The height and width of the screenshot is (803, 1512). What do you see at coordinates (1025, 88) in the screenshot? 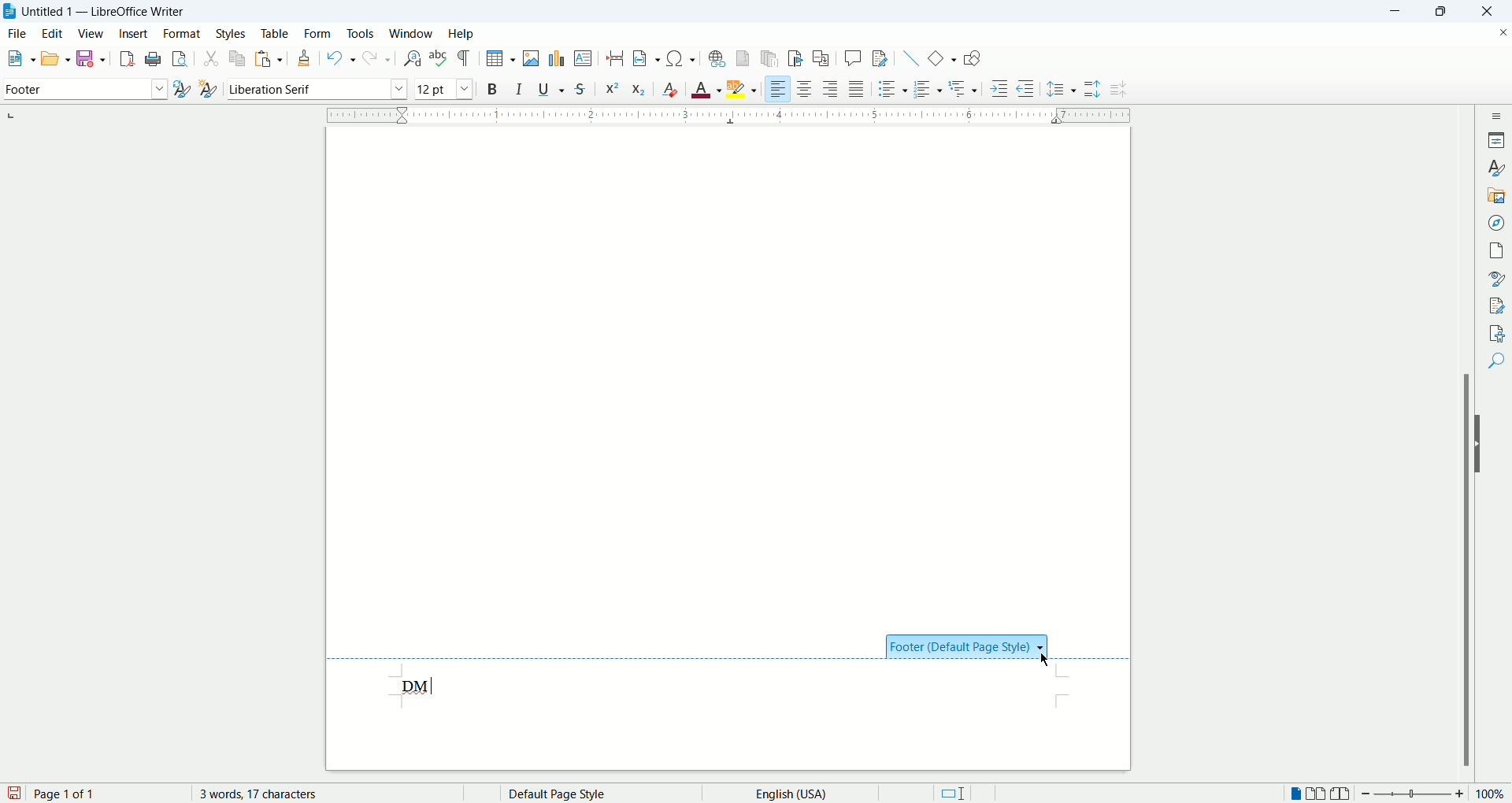
I see `decrease indent` at bounding box center [1025, 88].